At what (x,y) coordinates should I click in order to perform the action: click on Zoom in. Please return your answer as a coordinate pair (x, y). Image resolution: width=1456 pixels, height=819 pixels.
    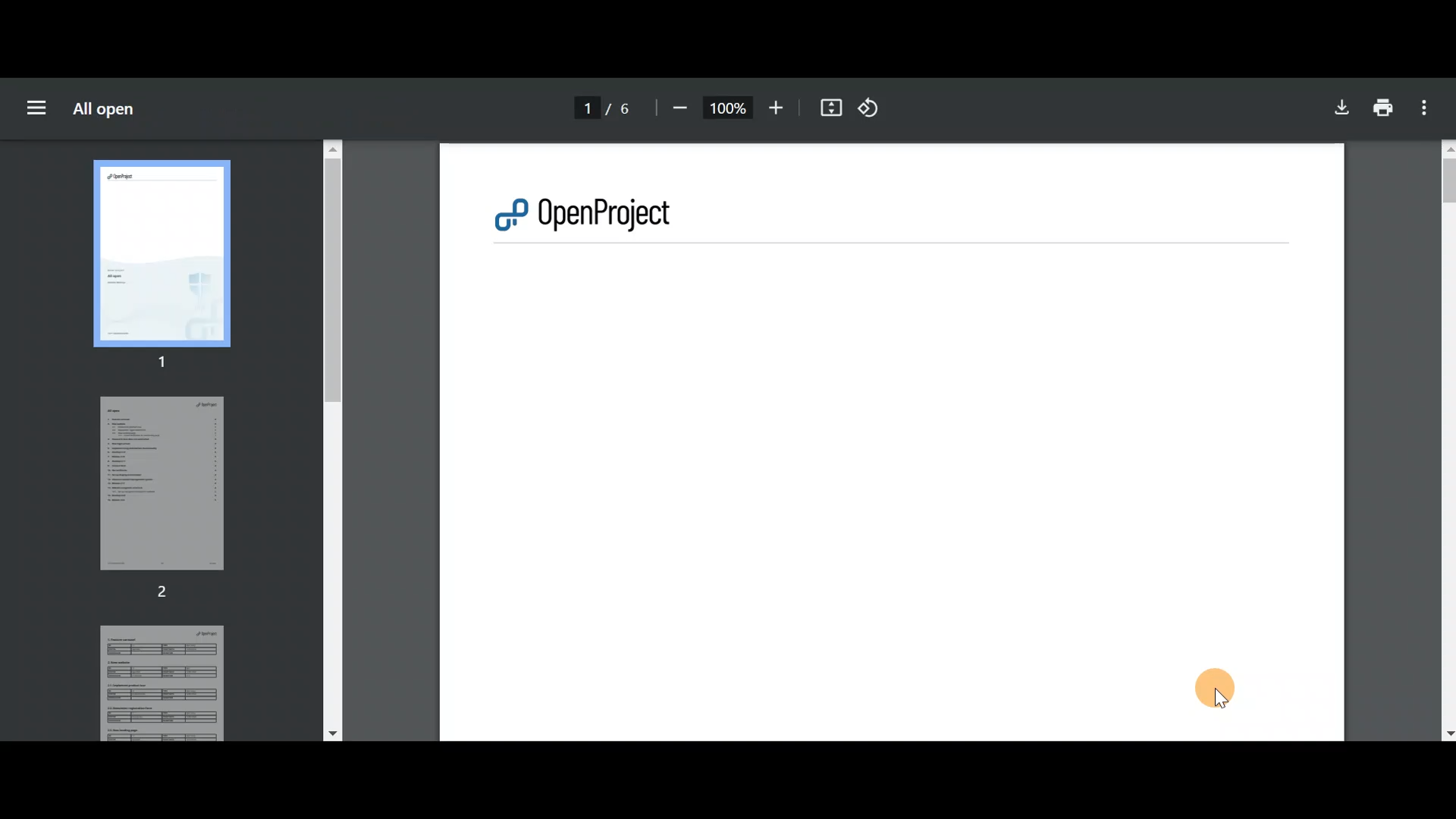
    Looking at the image, I should click on (777, 103).